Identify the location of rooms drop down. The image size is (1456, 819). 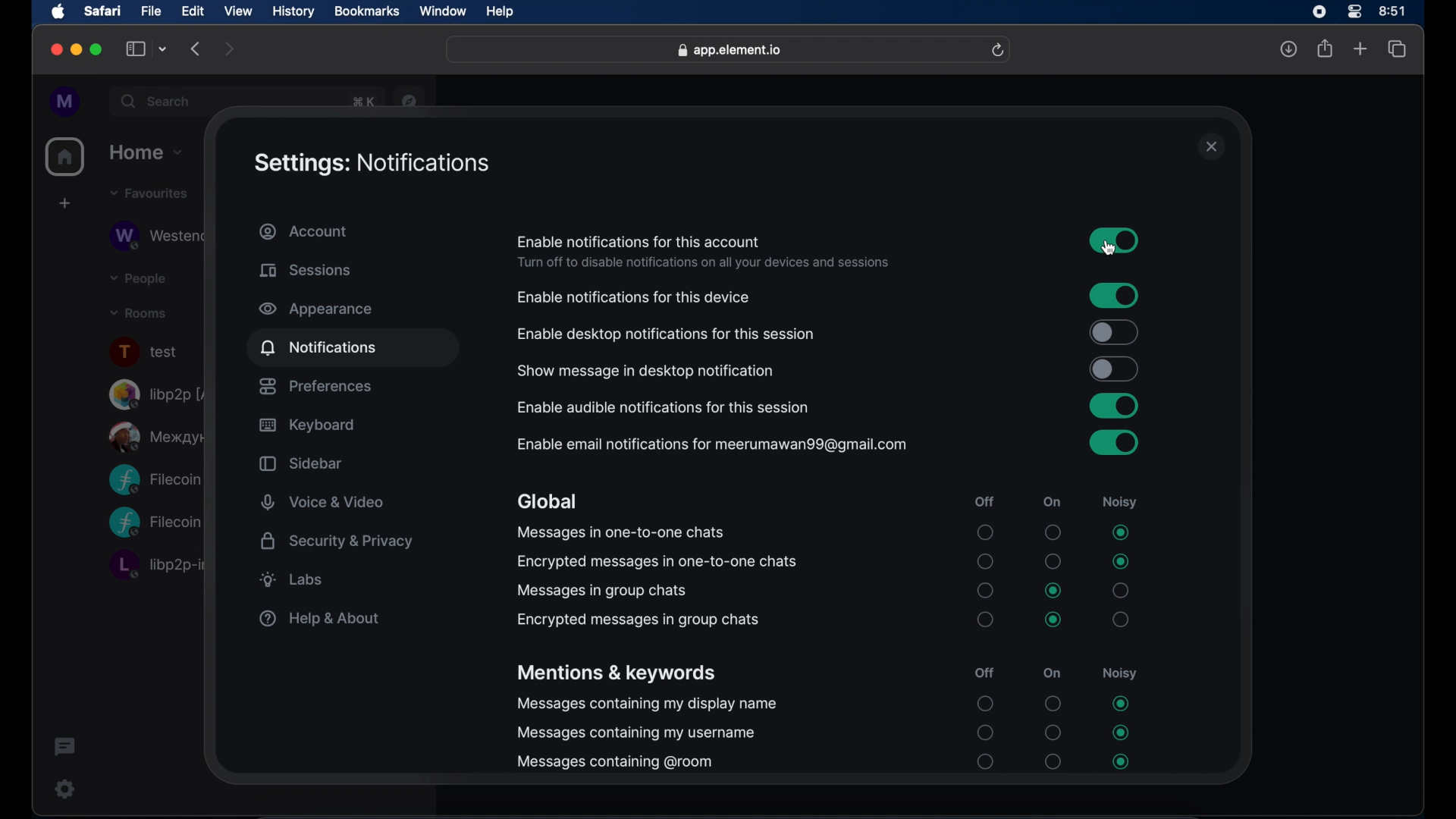
(136, 314).